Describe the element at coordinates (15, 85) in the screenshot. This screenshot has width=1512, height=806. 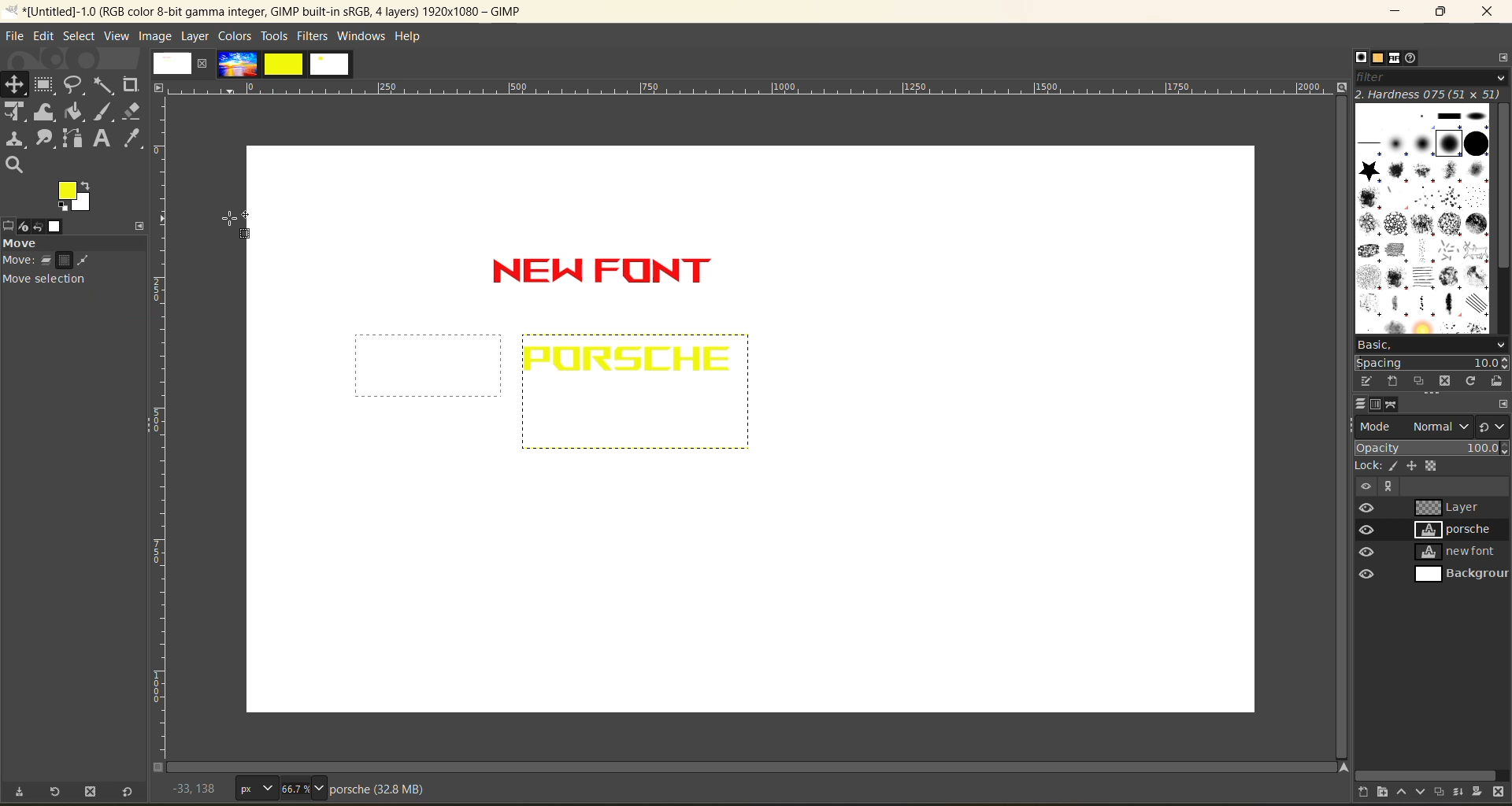
I see `position` at that location.